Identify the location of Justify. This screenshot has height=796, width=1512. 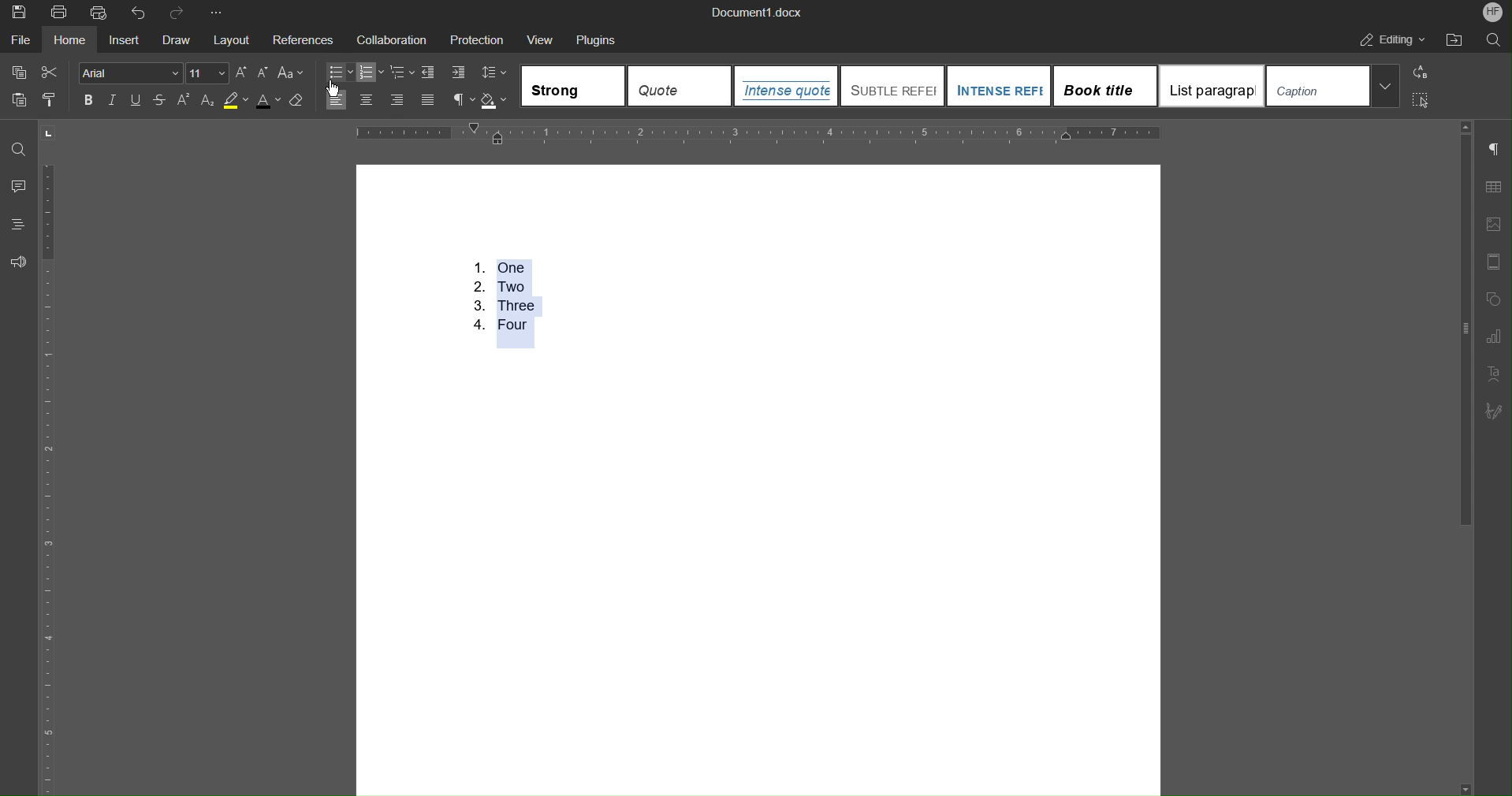
(426, 100).